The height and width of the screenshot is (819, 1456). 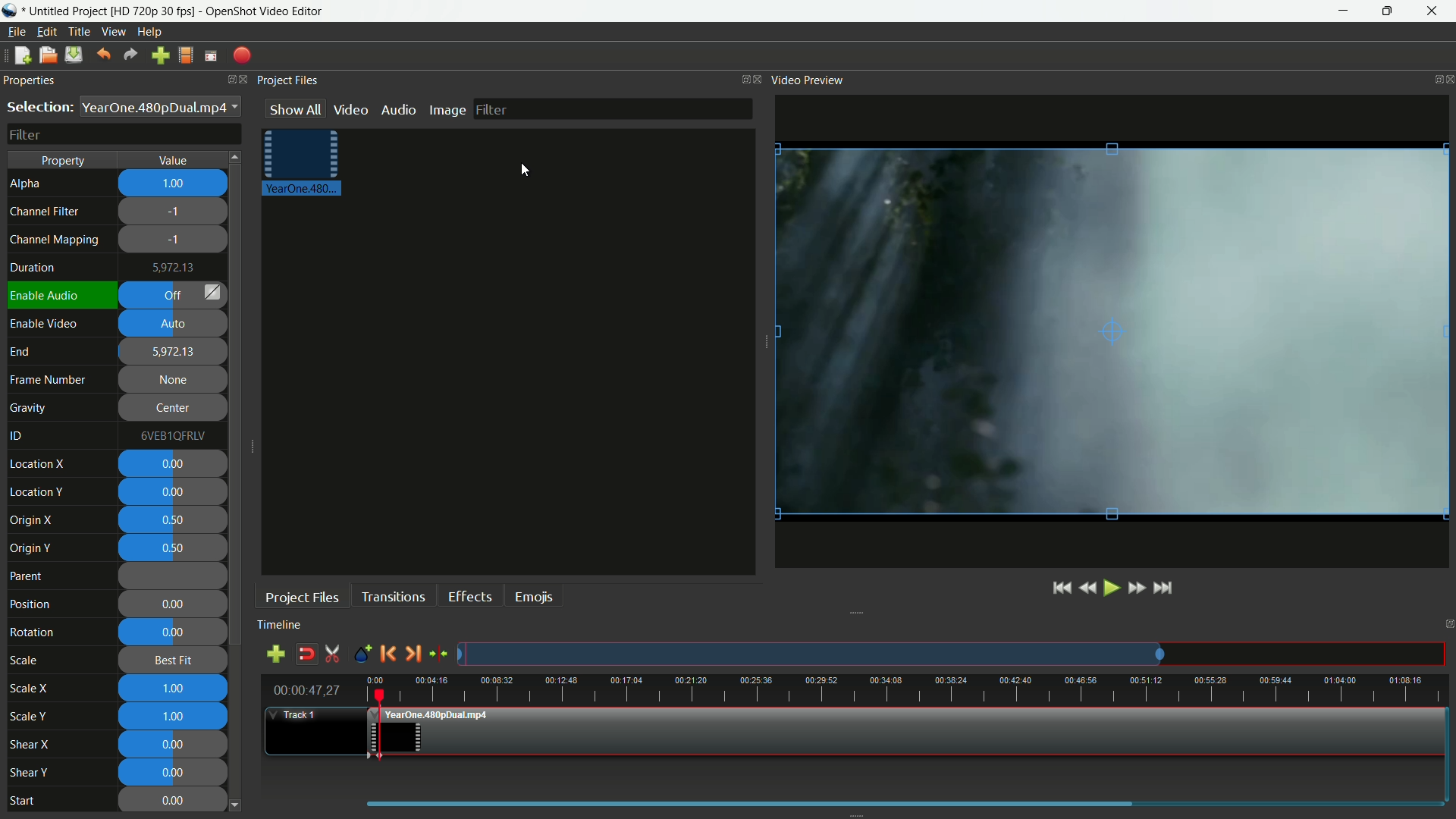 What do you see at coordinates (31, 548) in the screenshot?
I see `origin y` at bounding box center [31, 548].